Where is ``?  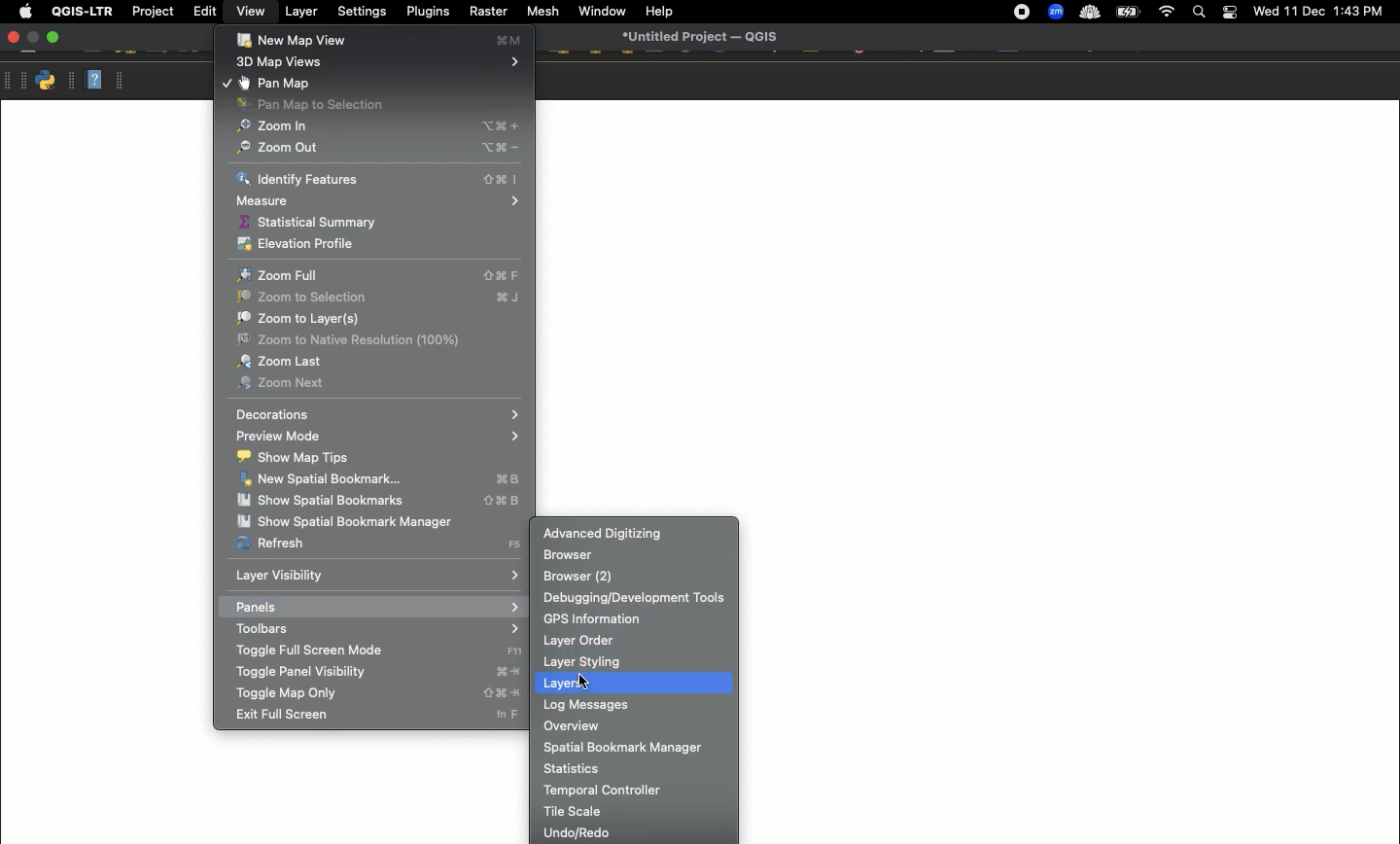  is located at coordinates (9, 82).